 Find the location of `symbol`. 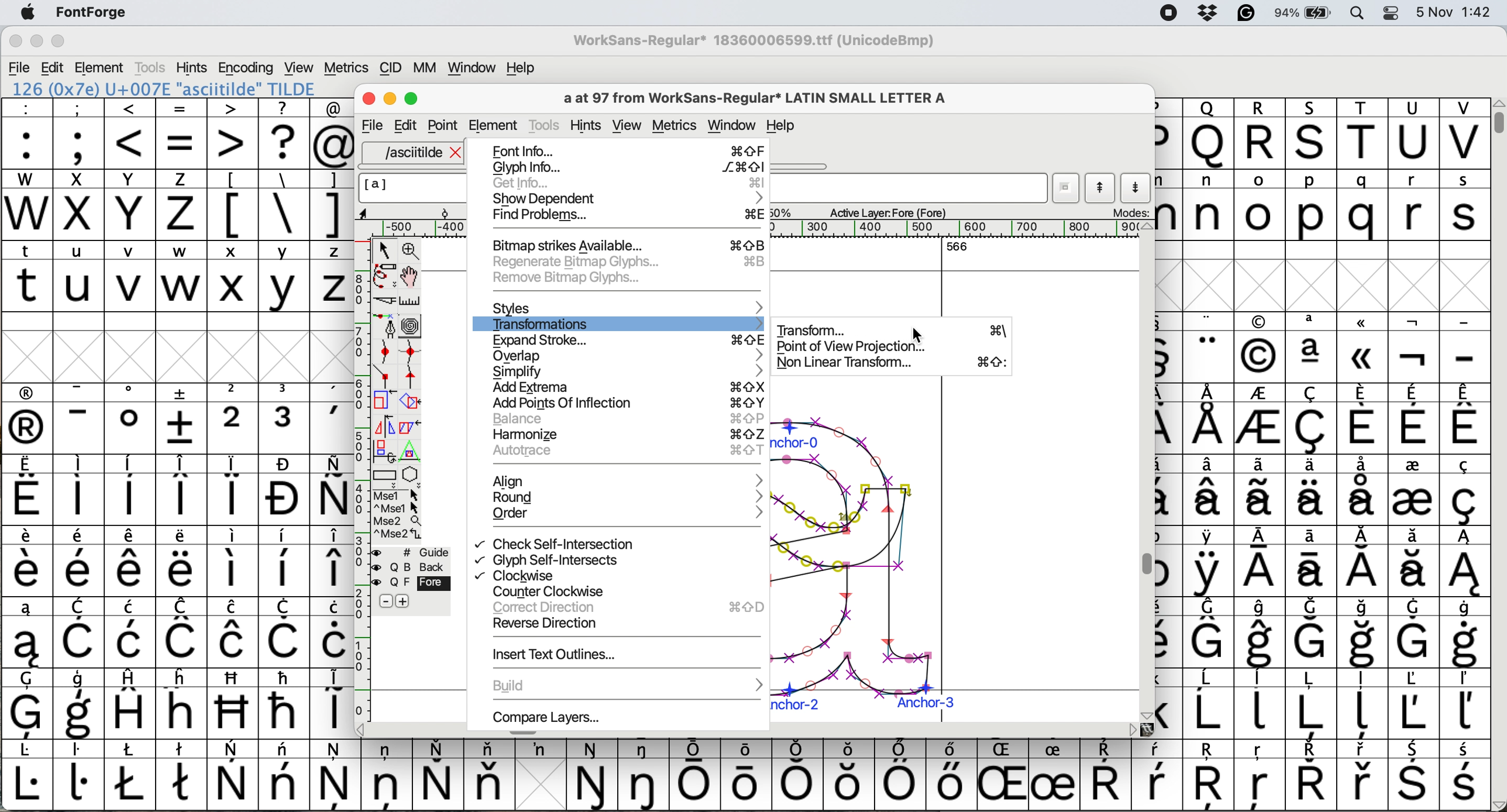

symbol is located at coordinates (1310, 703).